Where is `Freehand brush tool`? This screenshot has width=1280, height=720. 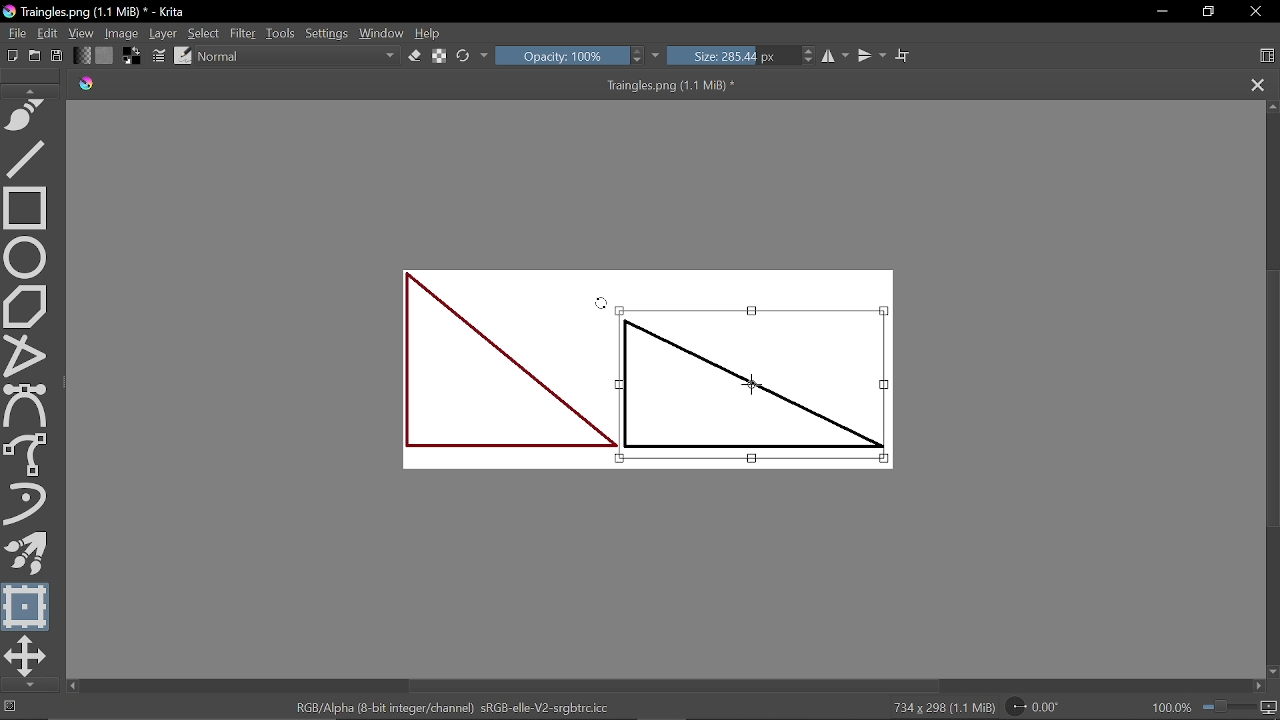 Freehand brush tool is located at coordinates (29, 455).